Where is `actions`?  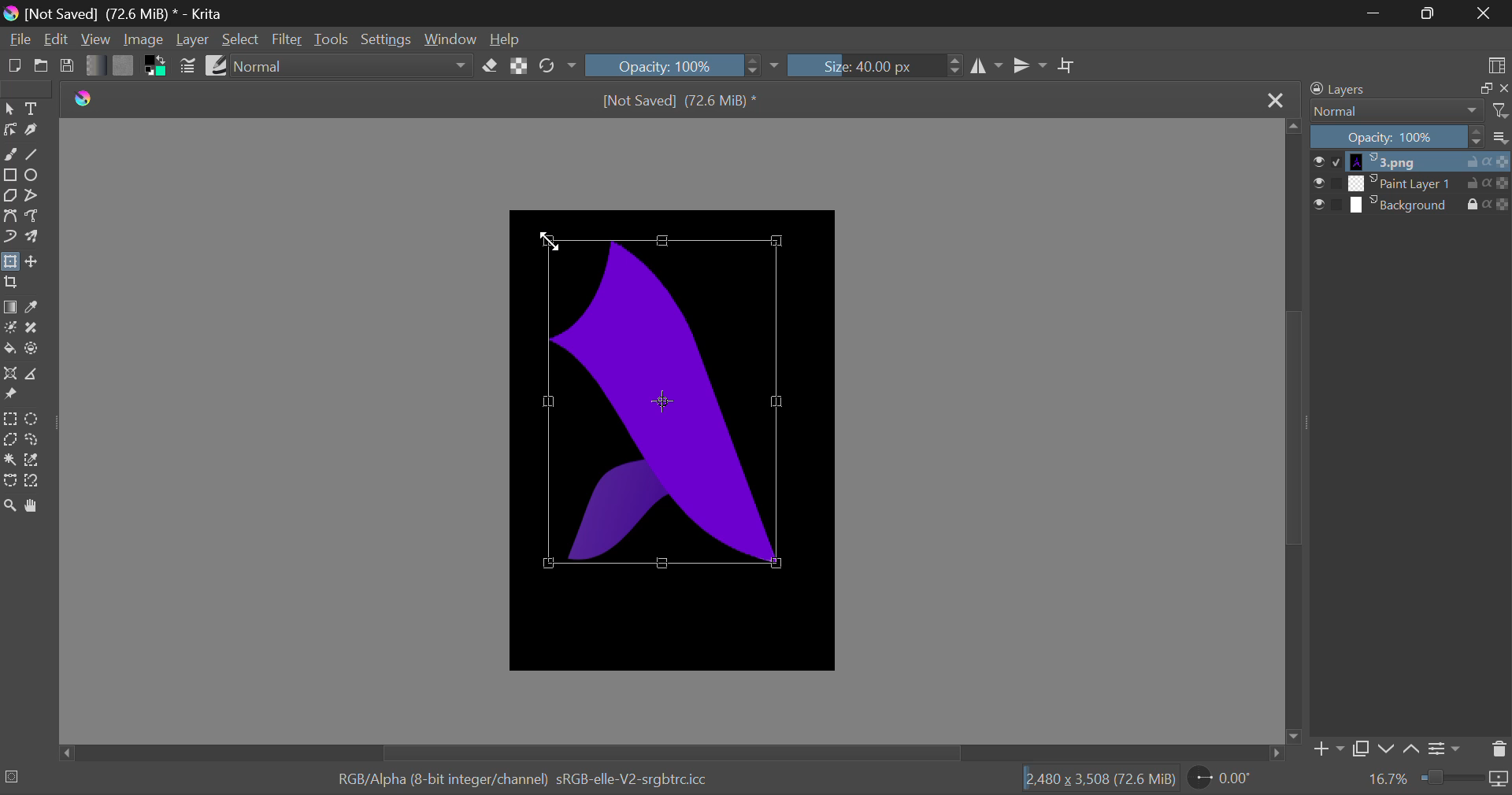
actions is located at coordinates (1488, 204).